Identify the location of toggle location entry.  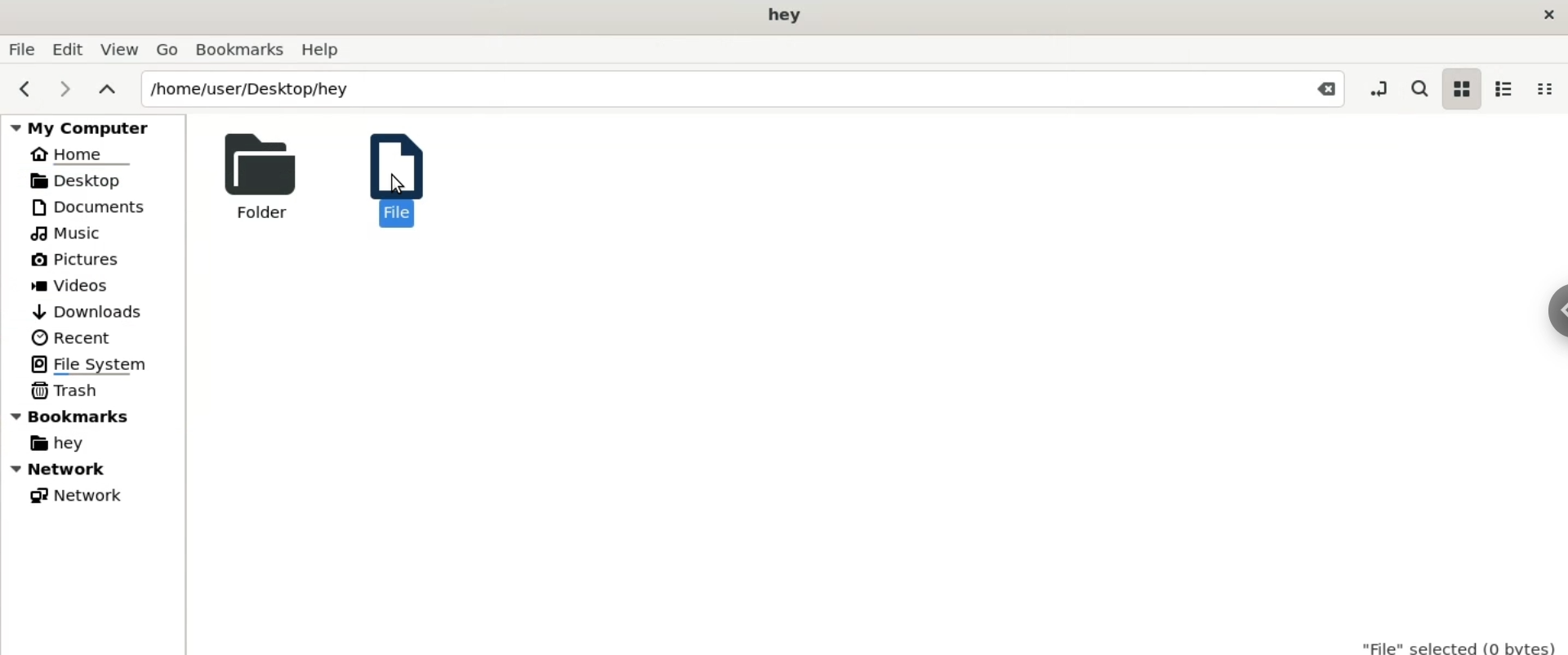
(1383, 87).